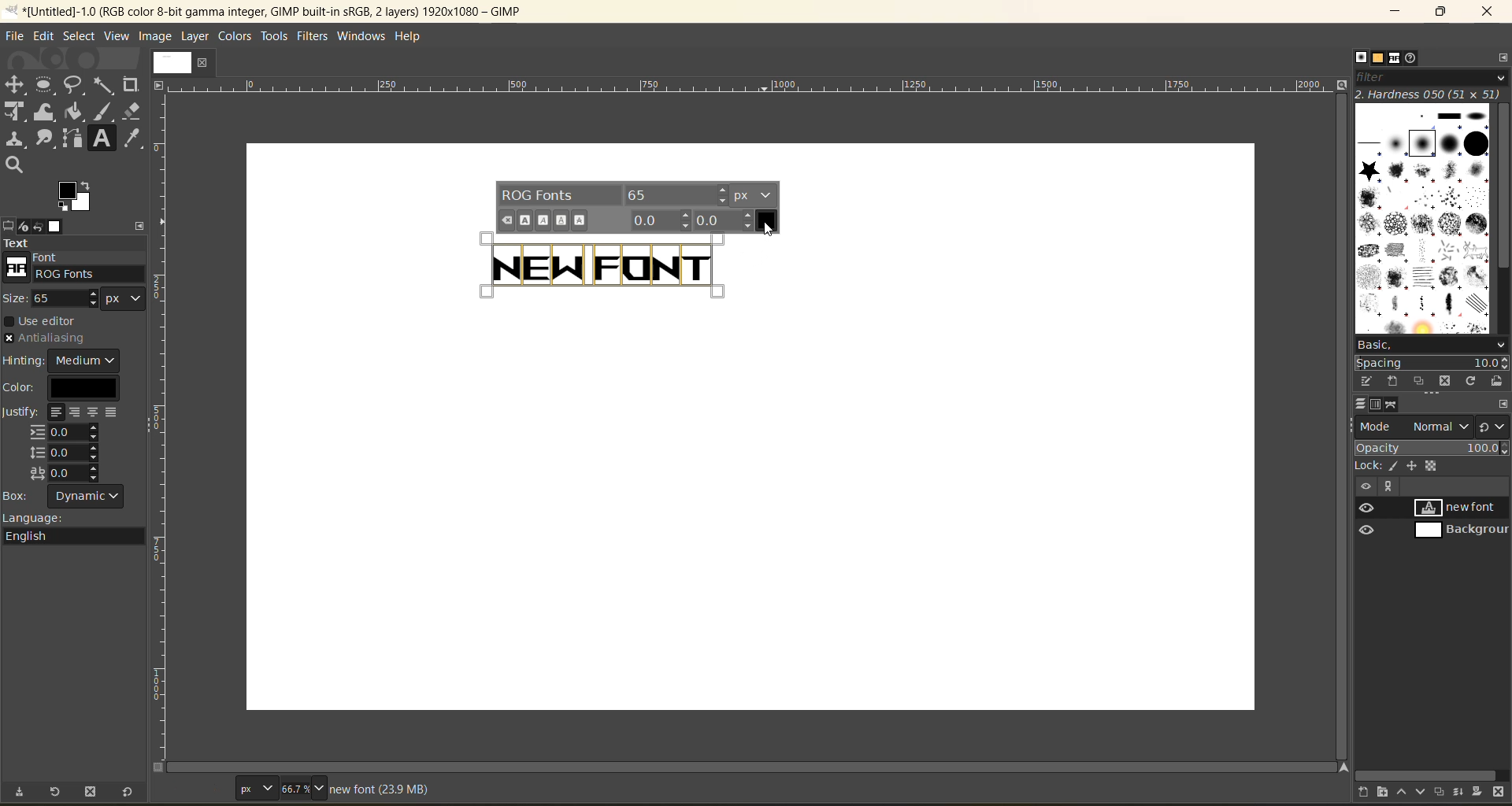  Describe the element at coordinates (72, 497) in the screenshot. I see `box` at that location.